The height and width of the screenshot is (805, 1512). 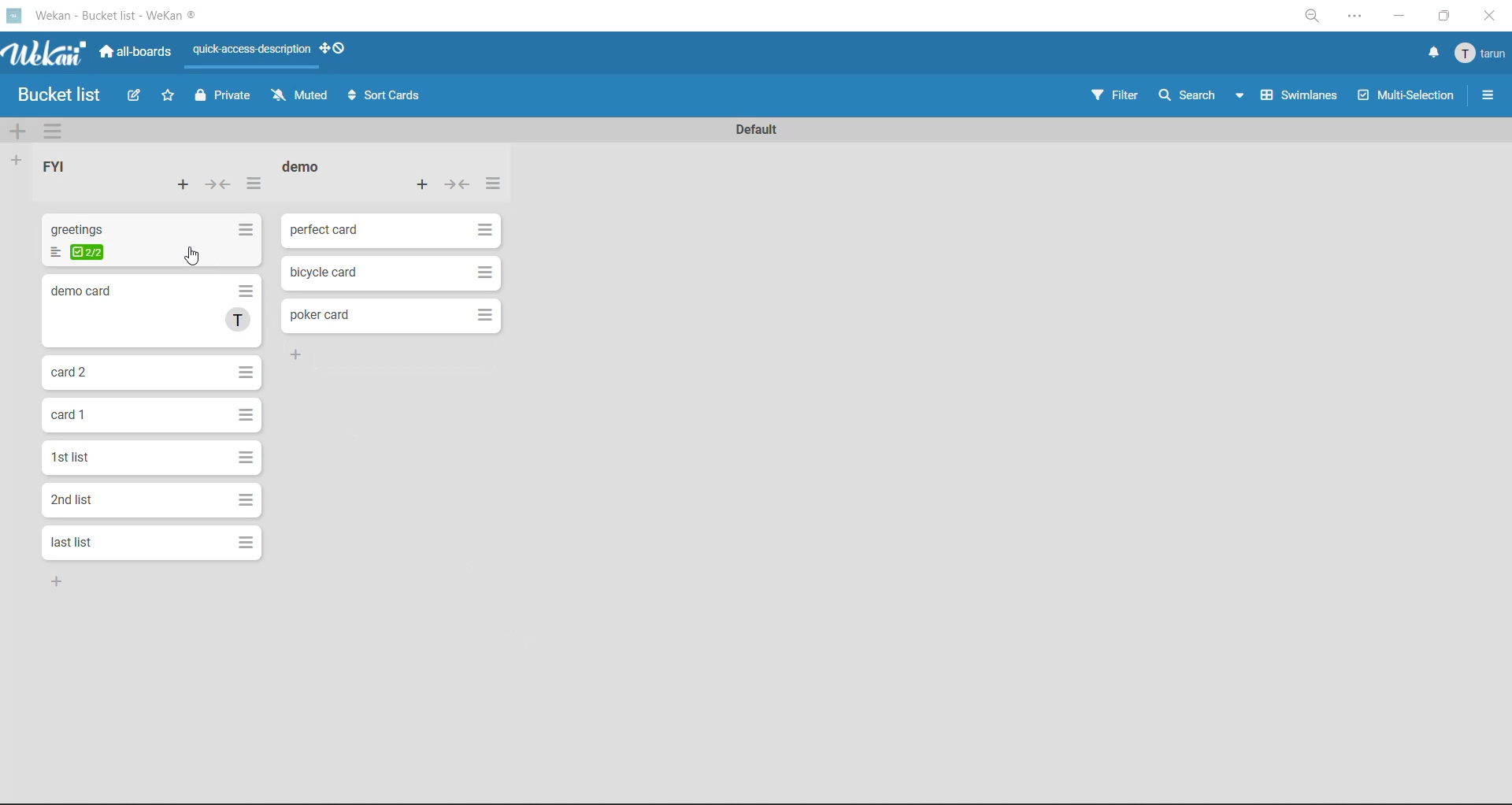 What do you see at coordinates (300, 95) in the screenshot?
I see `muted` at bounding box center [300, 95].